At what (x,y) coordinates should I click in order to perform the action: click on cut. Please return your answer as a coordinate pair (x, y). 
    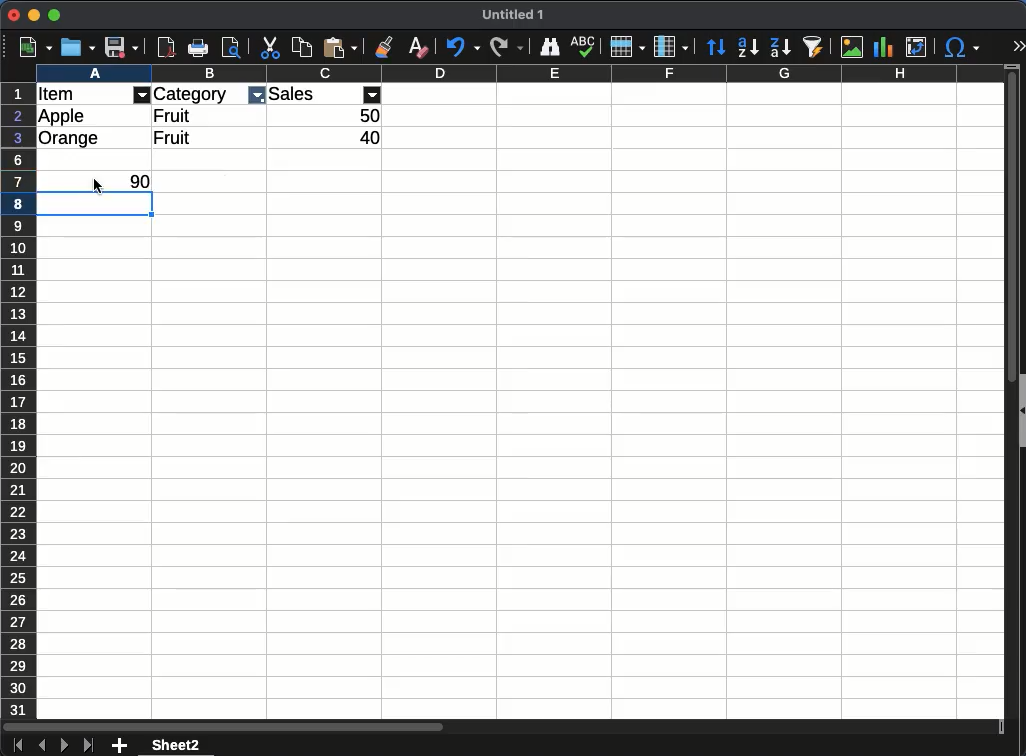
    Looking at the image, I should click on (271, 48).